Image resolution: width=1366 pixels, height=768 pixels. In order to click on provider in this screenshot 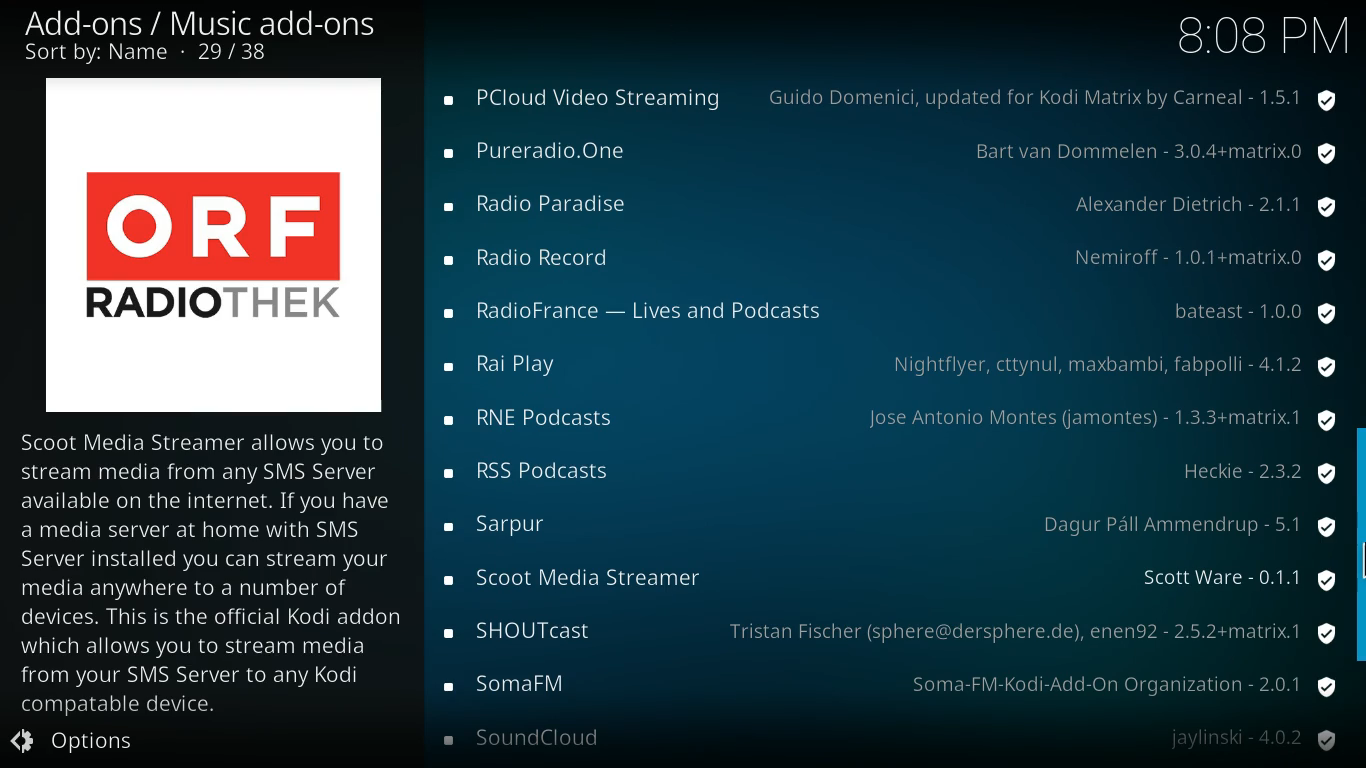, I will do `click(1248, 470)`.